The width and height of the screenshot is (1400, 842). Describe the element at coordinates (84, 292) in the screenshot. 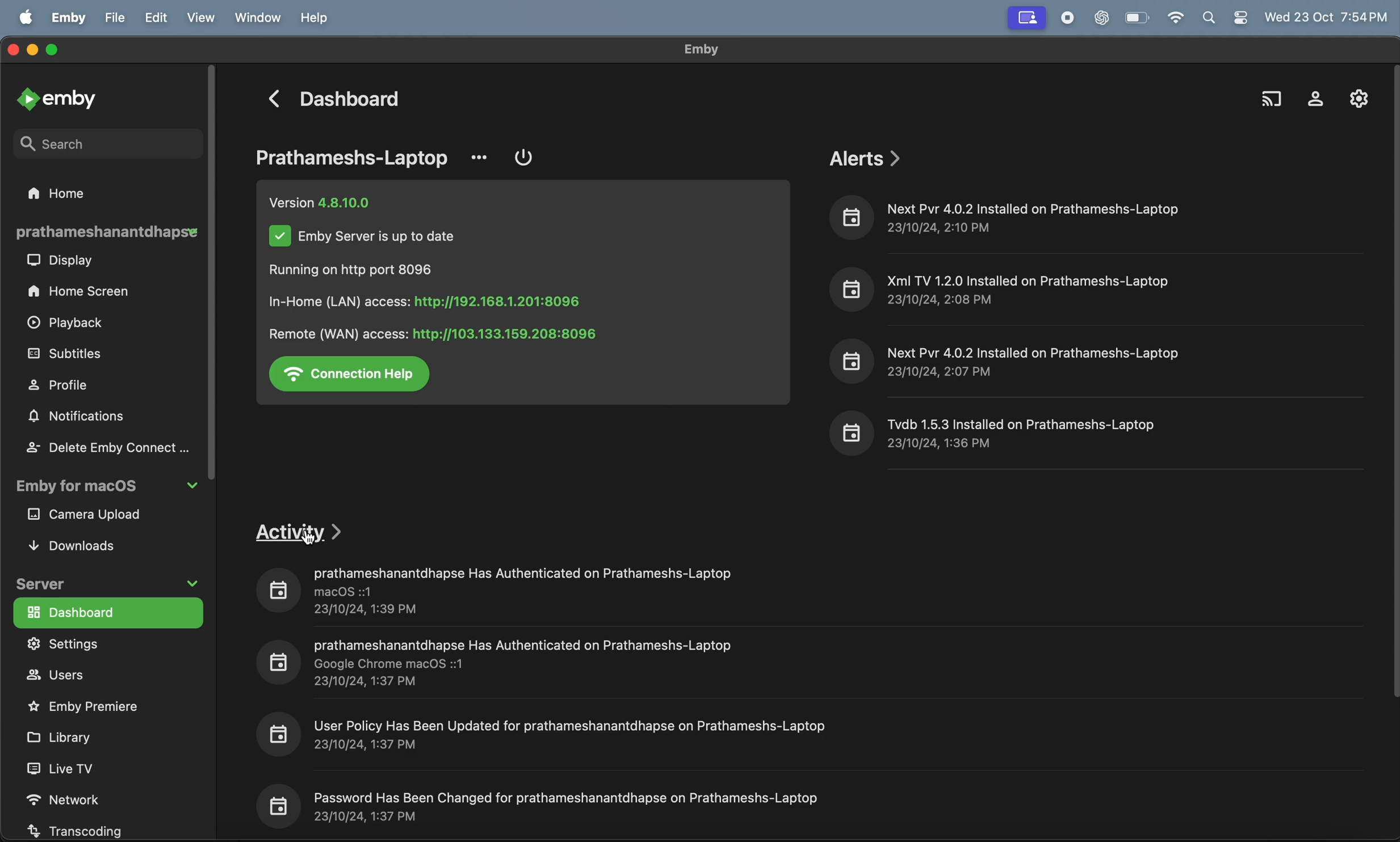

I see `home screen` at that location.